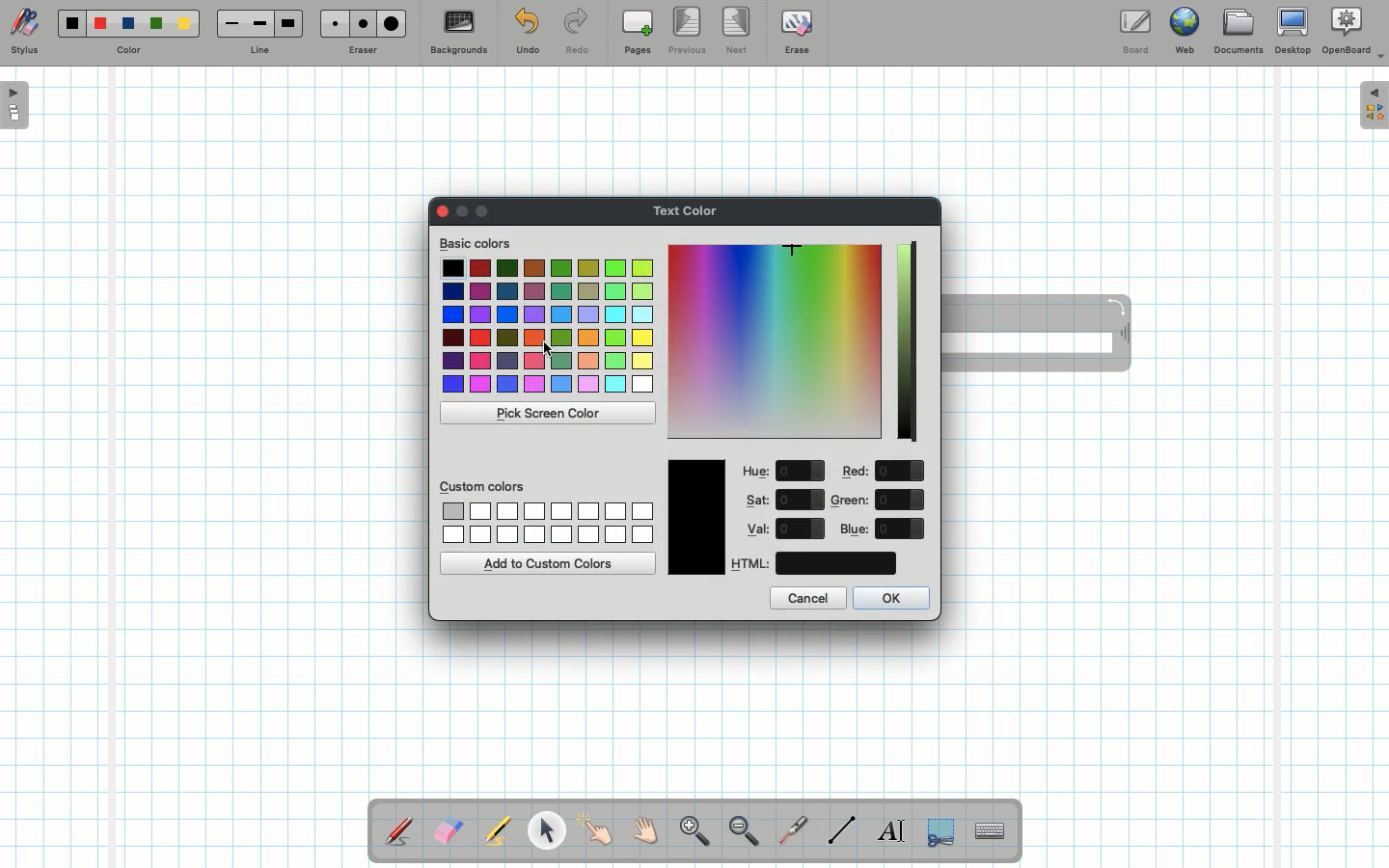  I want to click on Sat, so click(758, 500).